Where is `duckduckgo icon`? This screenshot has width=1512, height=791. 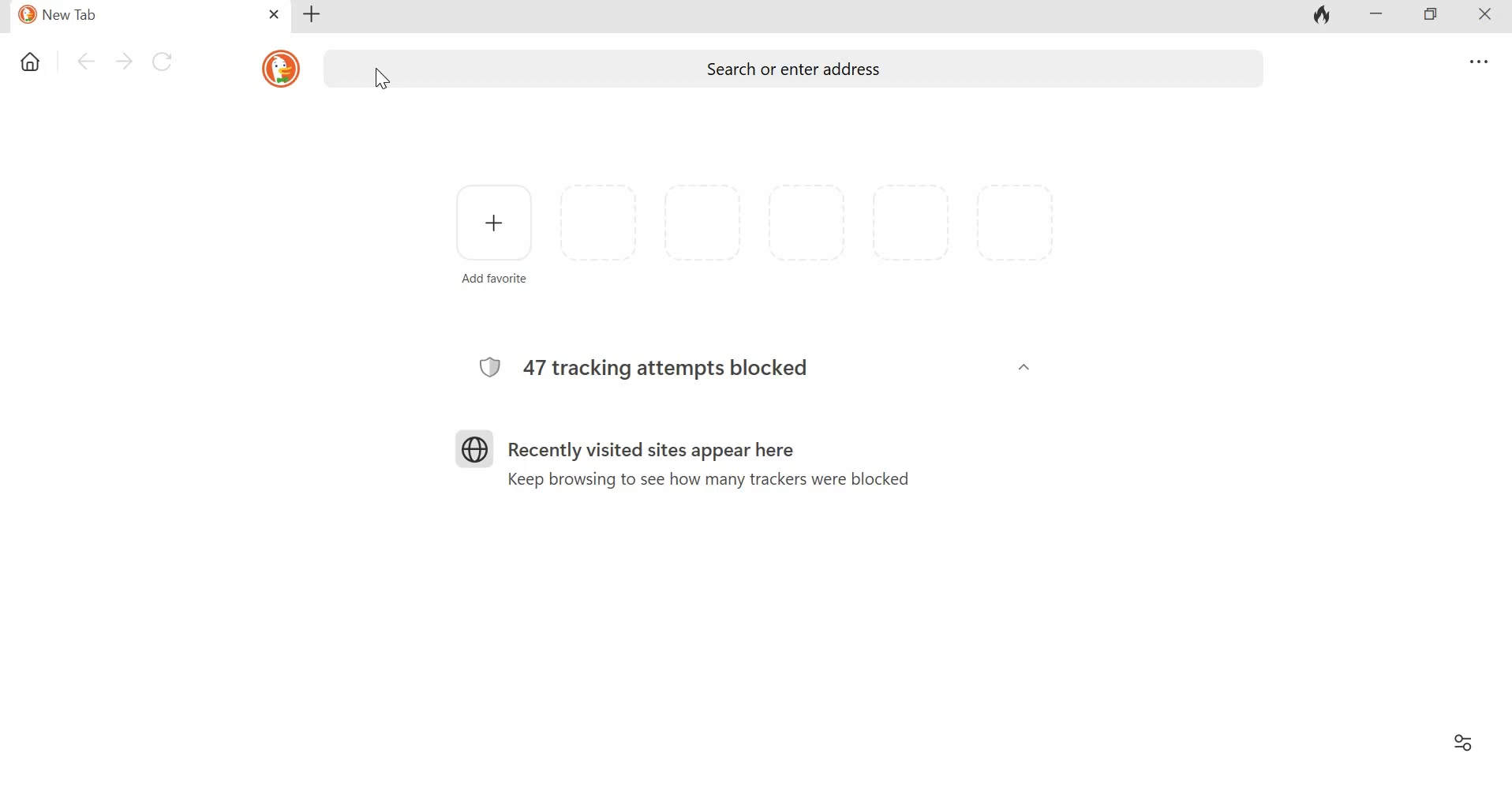 duckduckgo icon is located at coordinates (277, 67).